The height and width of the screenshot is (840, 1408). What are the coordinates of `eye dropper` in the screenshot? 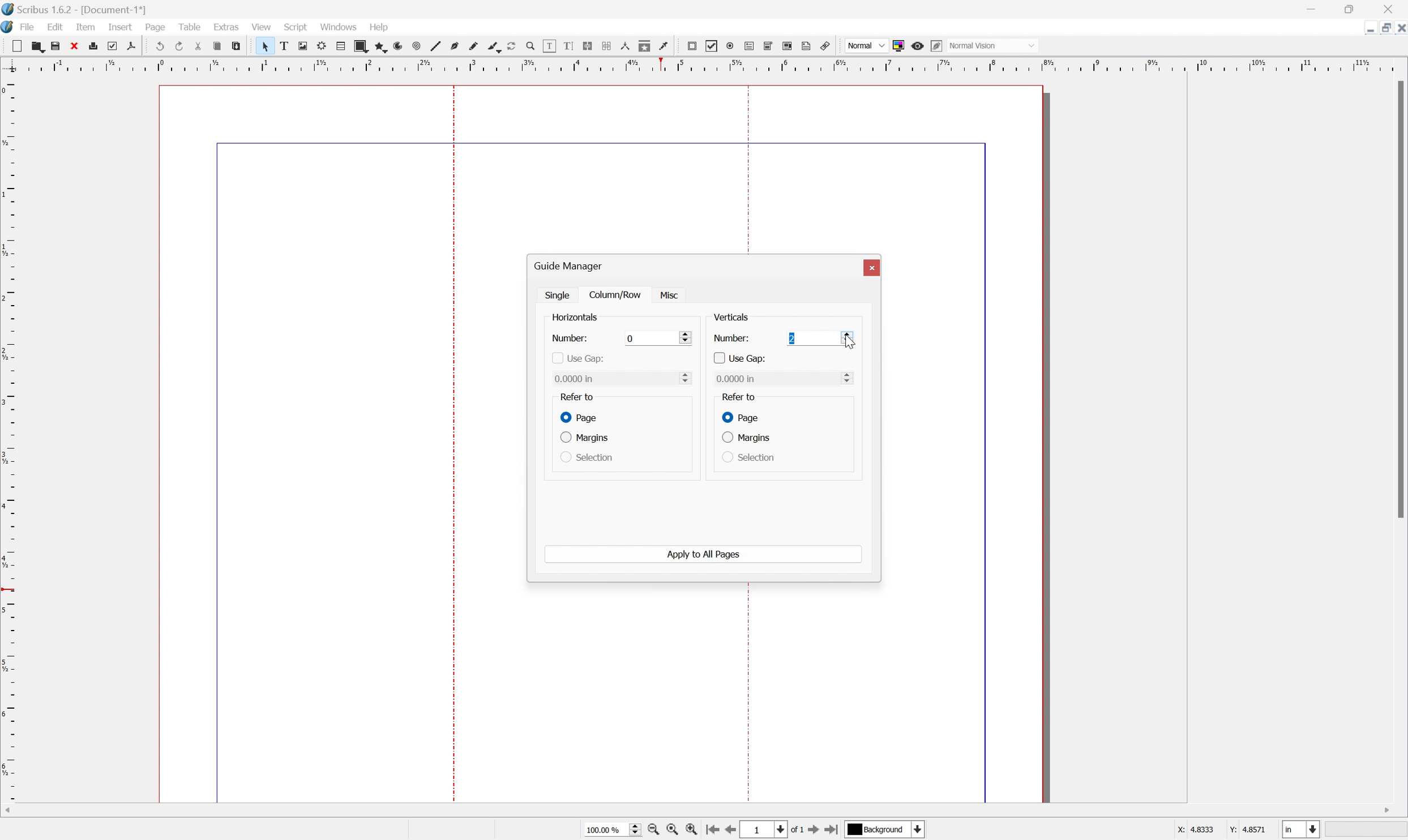 It's located at (665, 47).